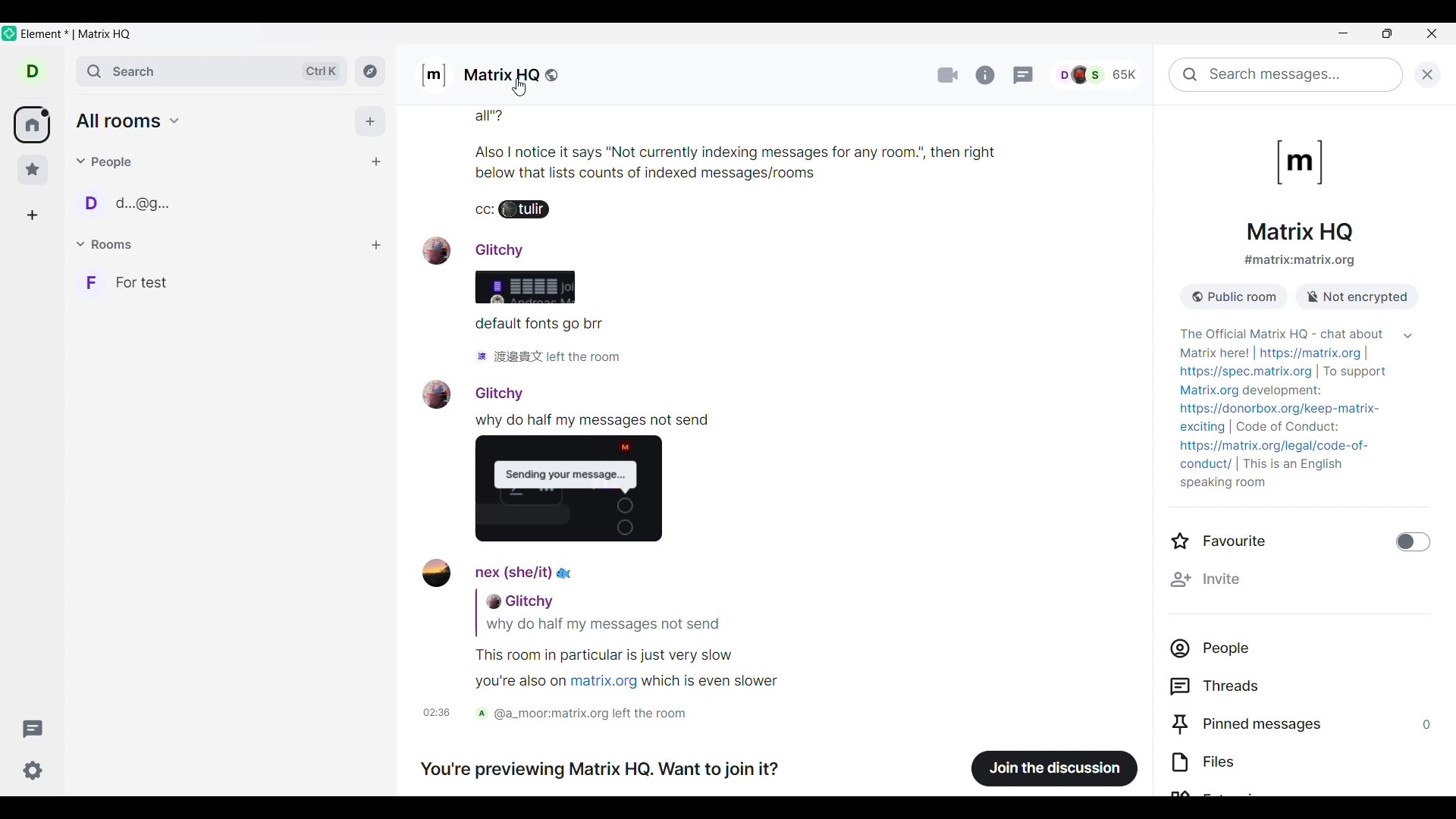 The image size is (1456, 819). What do you see at coordinates (9, 33) in the screenshot?
I see `element logo` at bounding box center [9, 33].